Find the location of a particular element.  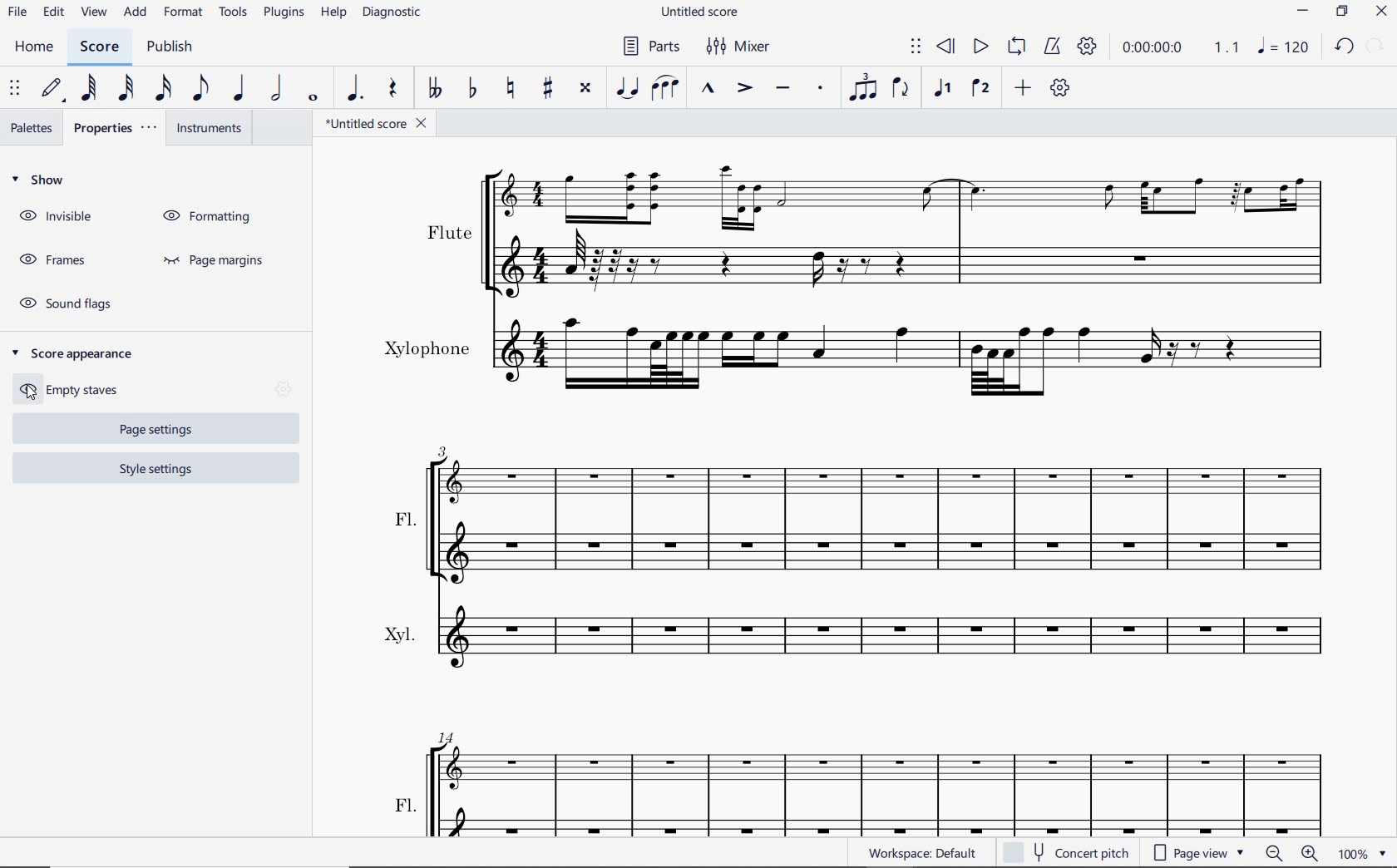

SELECT TO MOVE is located at coordinates (916, 47).